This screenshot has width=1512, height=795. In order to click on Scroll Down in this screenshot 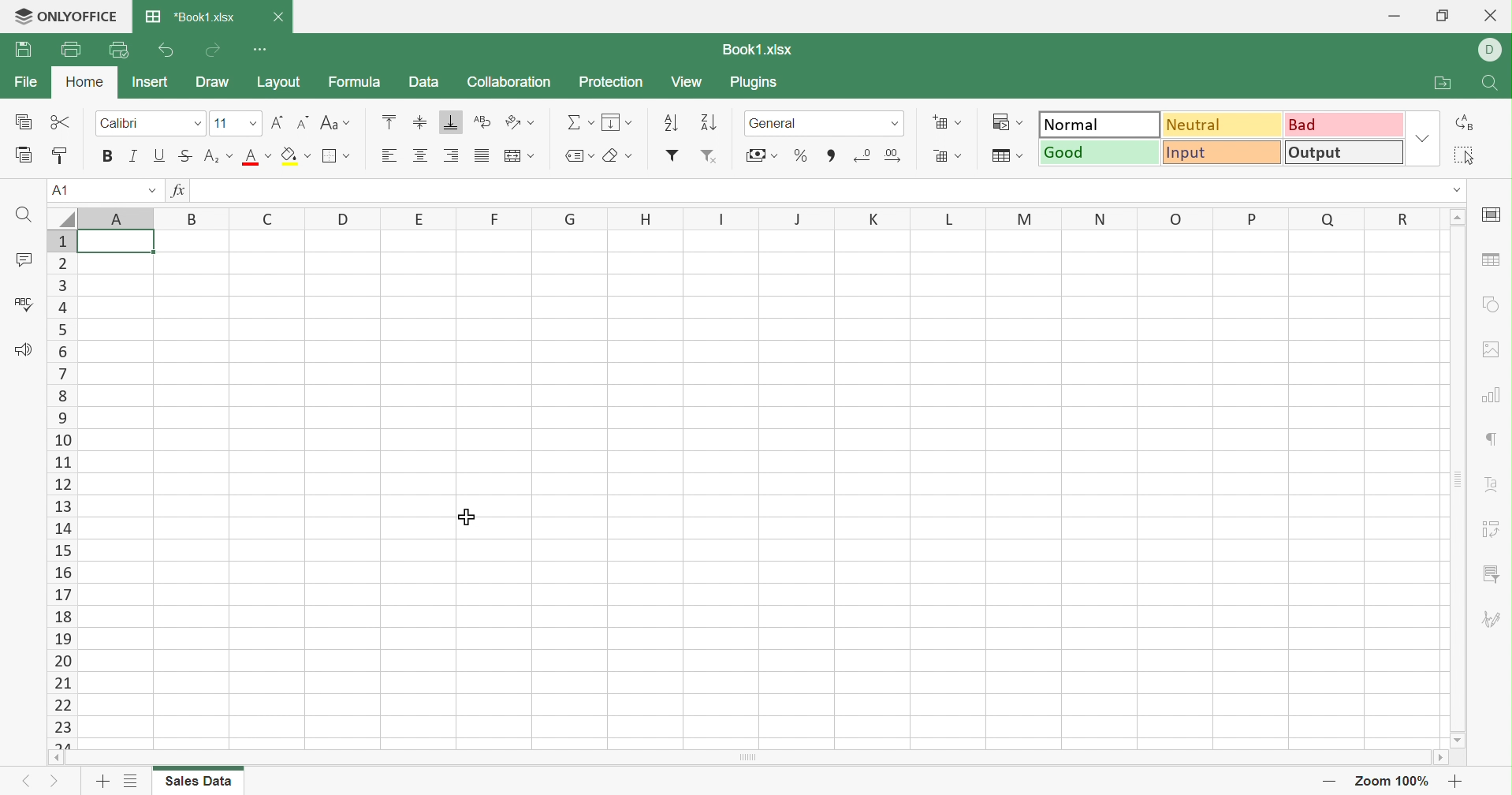, I will do `click(1454, 741)`.